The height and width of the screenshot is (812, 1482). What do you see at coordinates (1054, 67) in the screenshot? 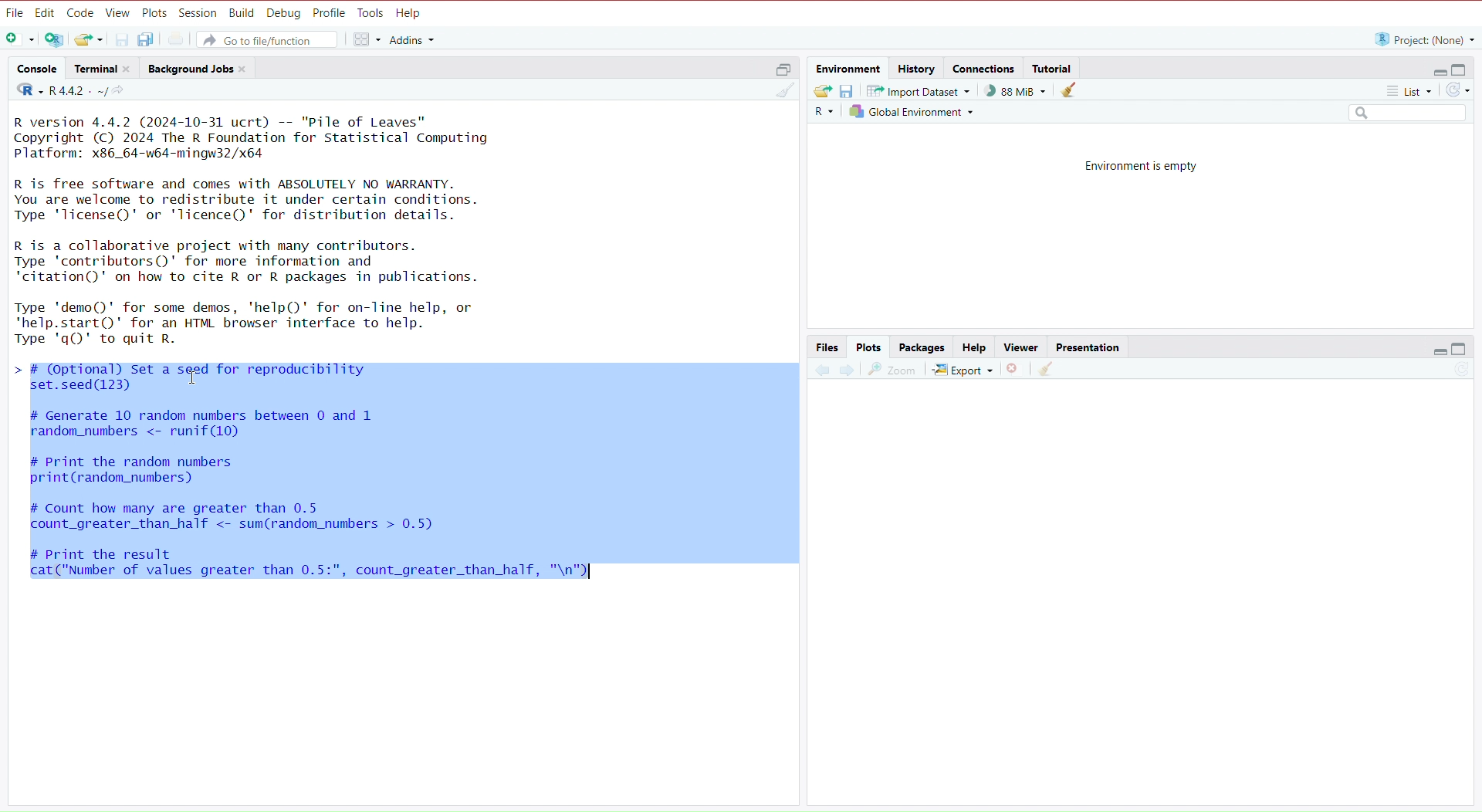
I see `Tutorial` at bounding box center [1054, 67].